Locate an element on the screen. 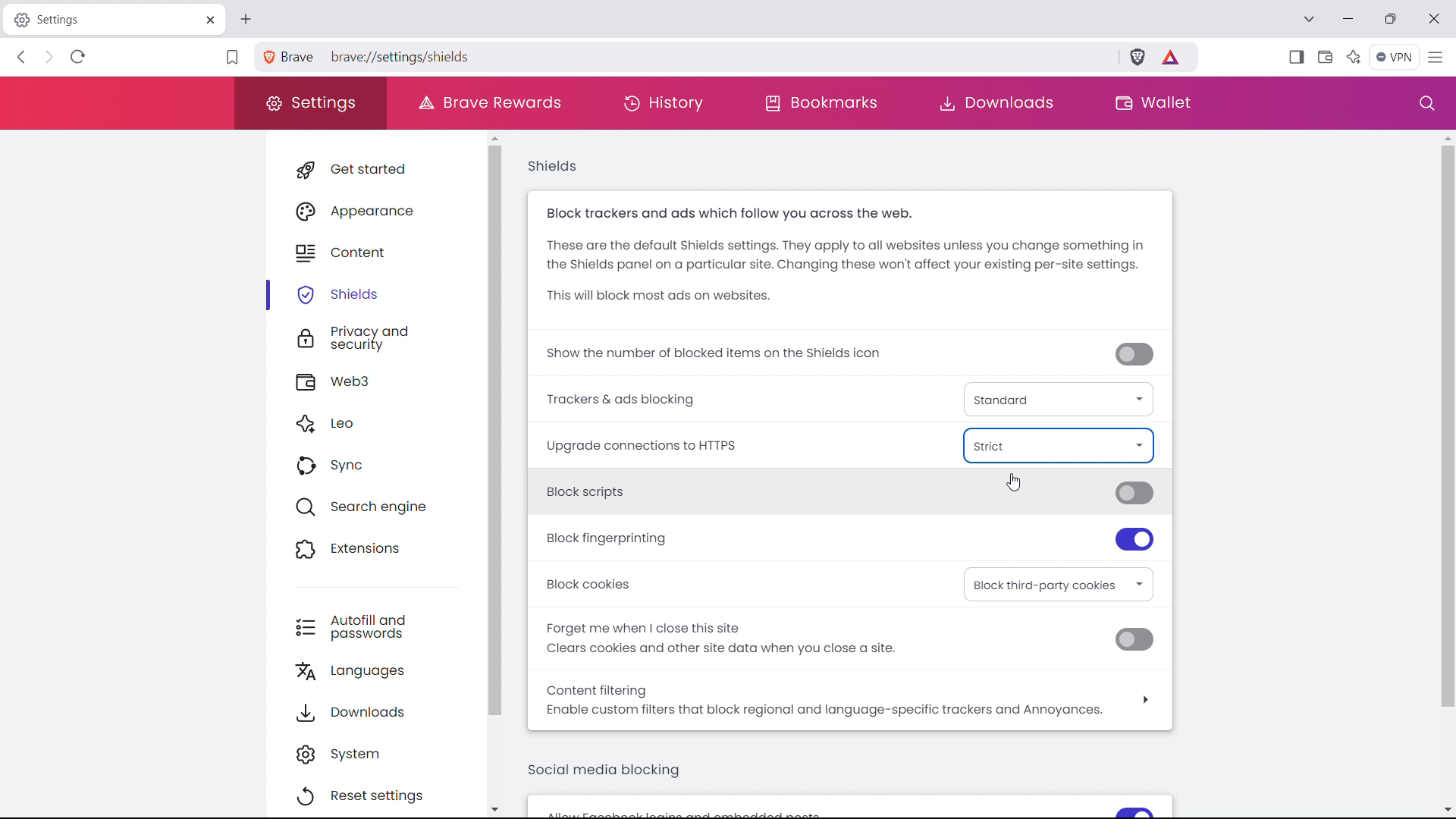  open sidebar is located at coordinates (1296, 57).